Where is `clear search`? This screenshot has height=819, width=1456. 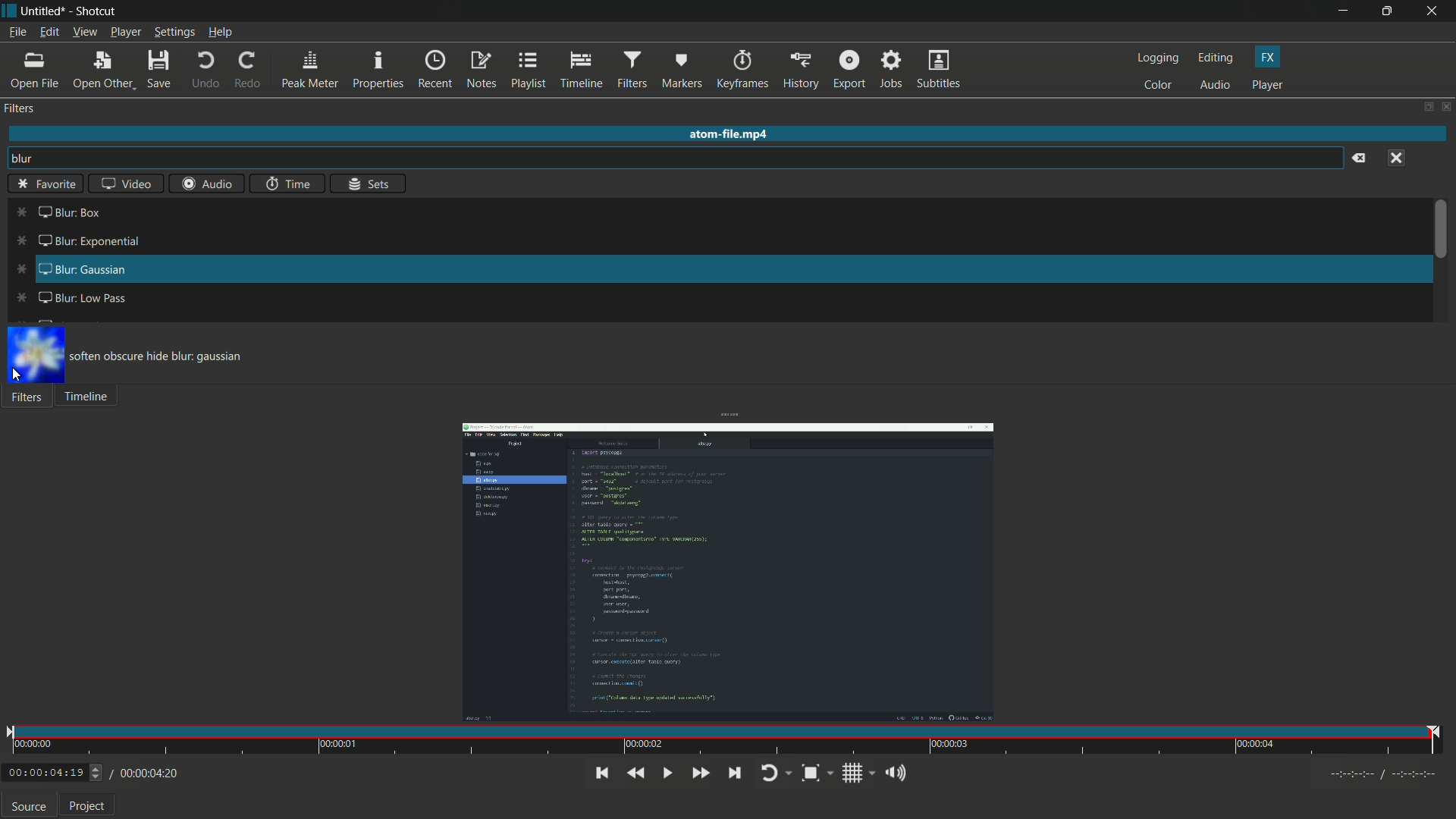 clear search is located at coordinates (1360, 158).